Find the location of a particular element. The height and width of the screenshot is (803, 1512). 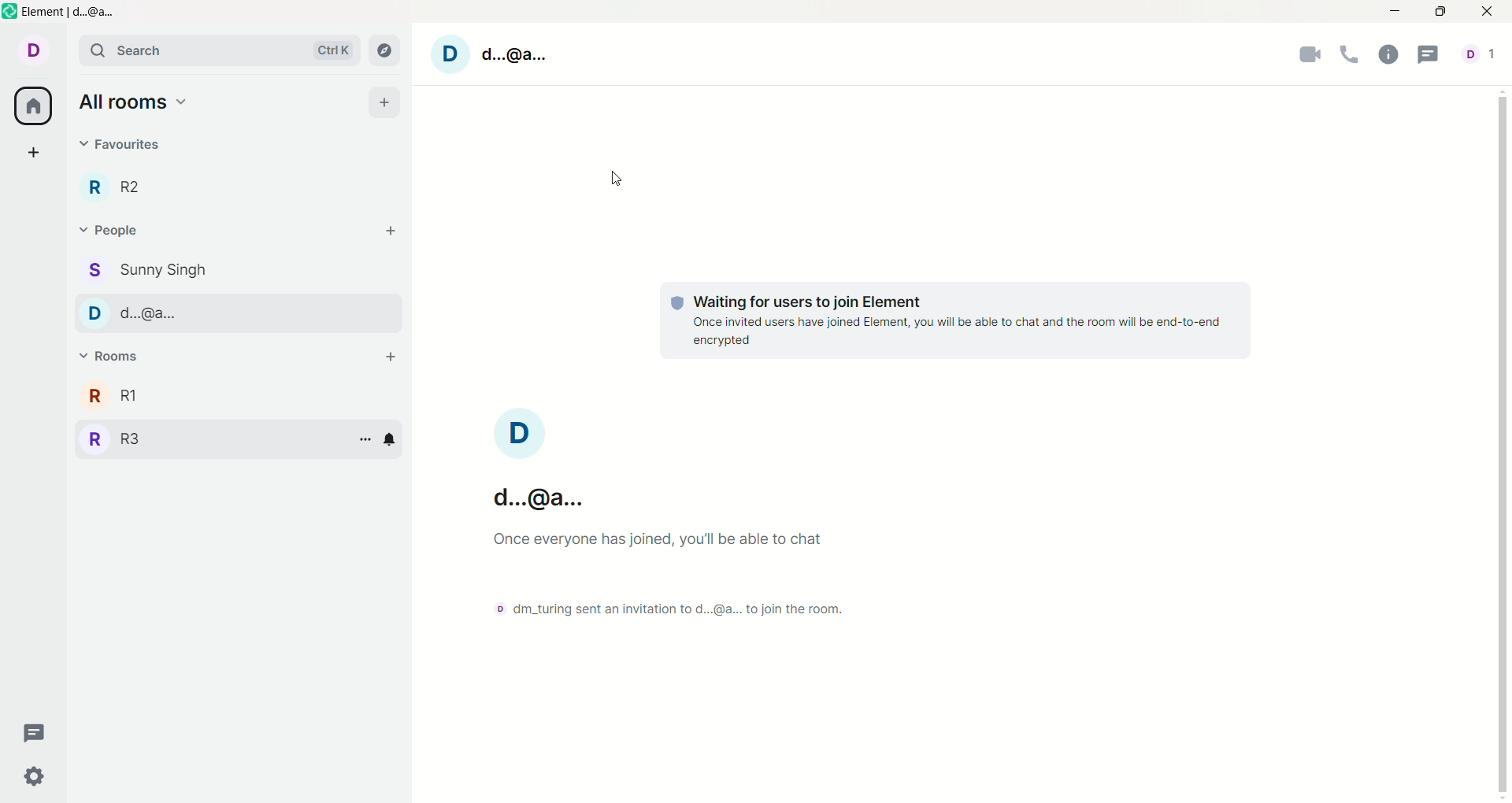

R2 room is under favorites section is located at coordinates (122, 187).